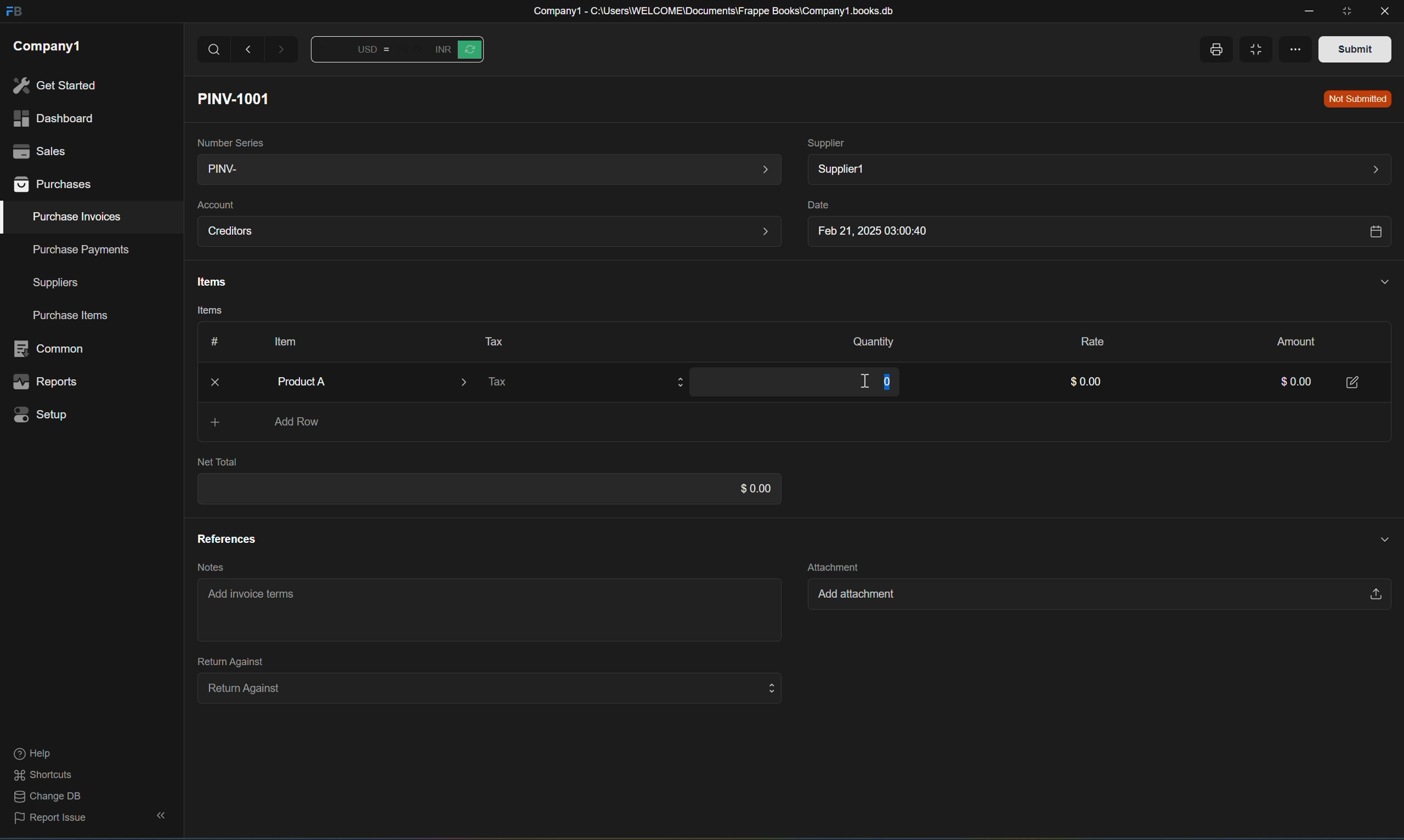 The width and height of the screenshot is (1404, 840). What do you see at coordinates (44, 775) in the screenshot?
I see `shortcuts` at bounding box center [44, 775].